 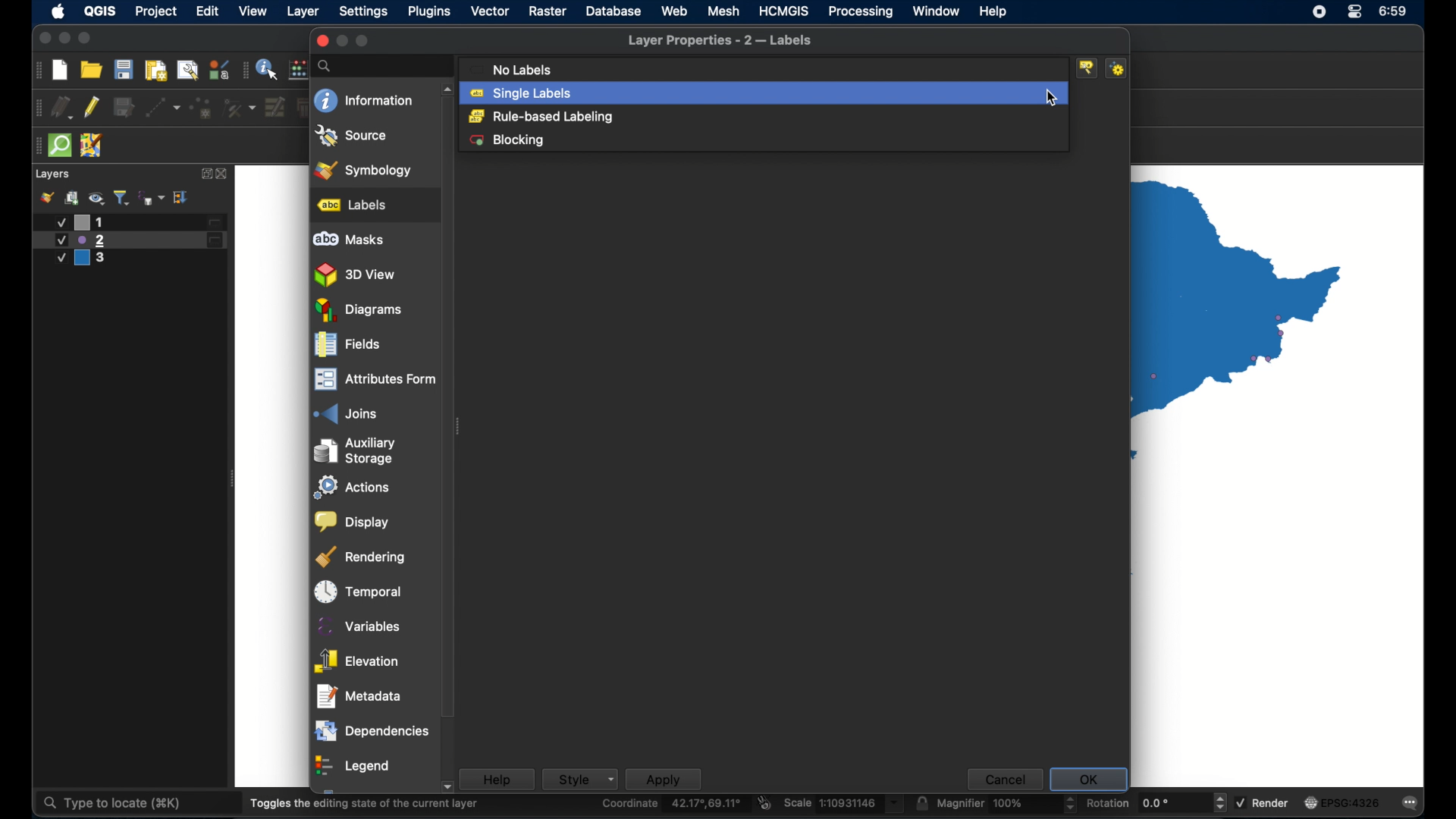 What do you see at coordinates (124, 69) in the screenshot?
I see `save` at bounding box center [124, 69].